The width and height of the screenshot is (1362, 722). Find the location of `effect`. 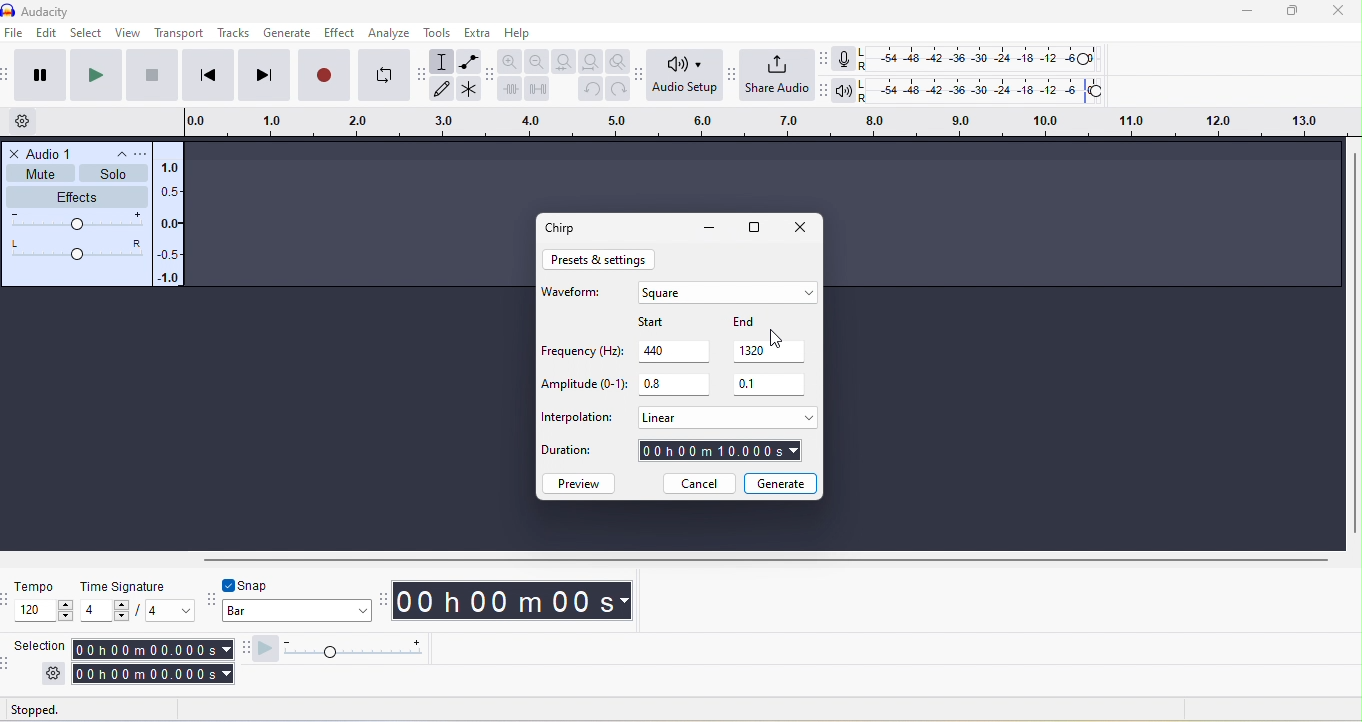

effect is located at coordinates (342, 32).